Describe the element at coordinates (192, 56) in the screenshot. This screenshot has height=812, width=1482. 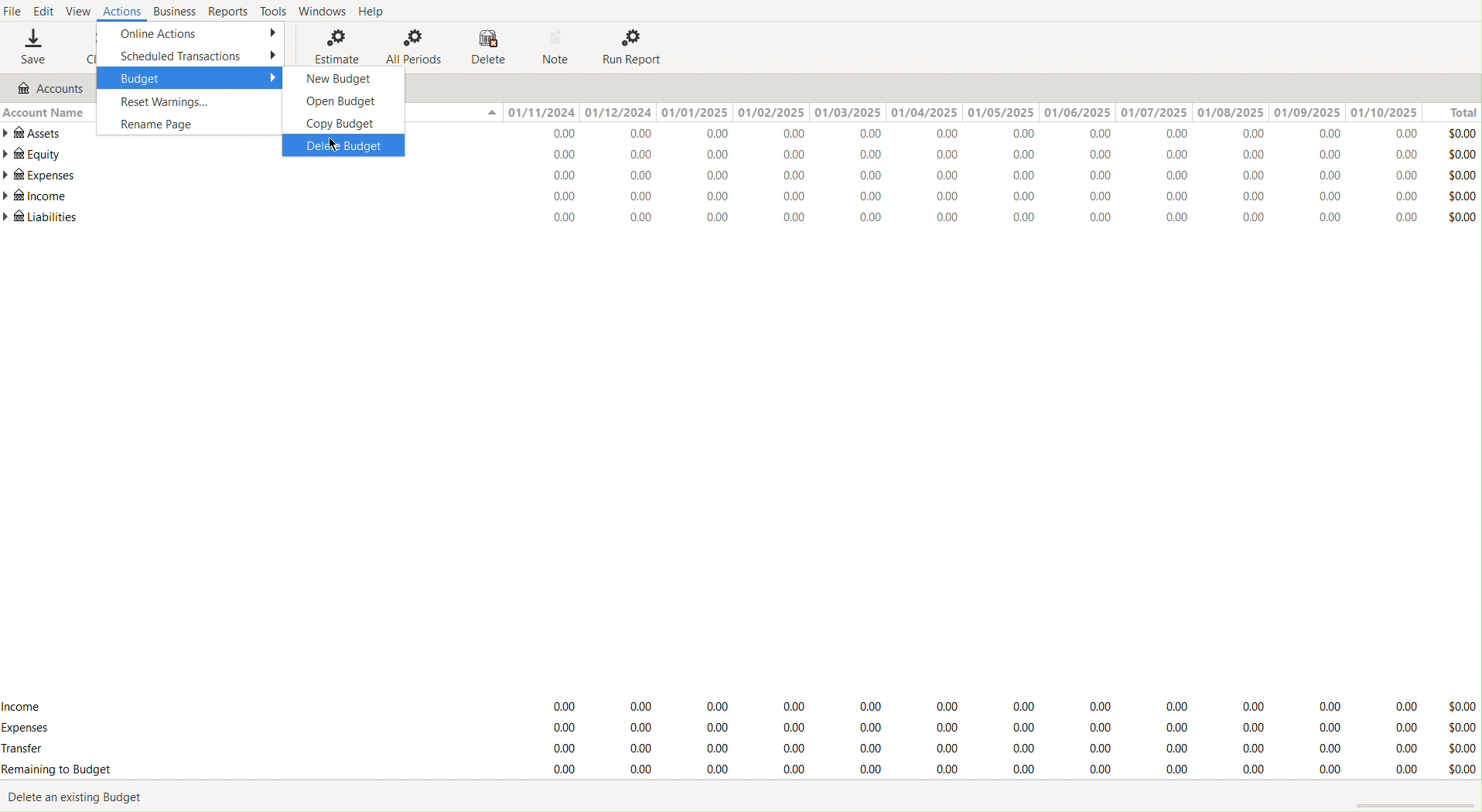
I see `Scheduled Transactions` at that location.